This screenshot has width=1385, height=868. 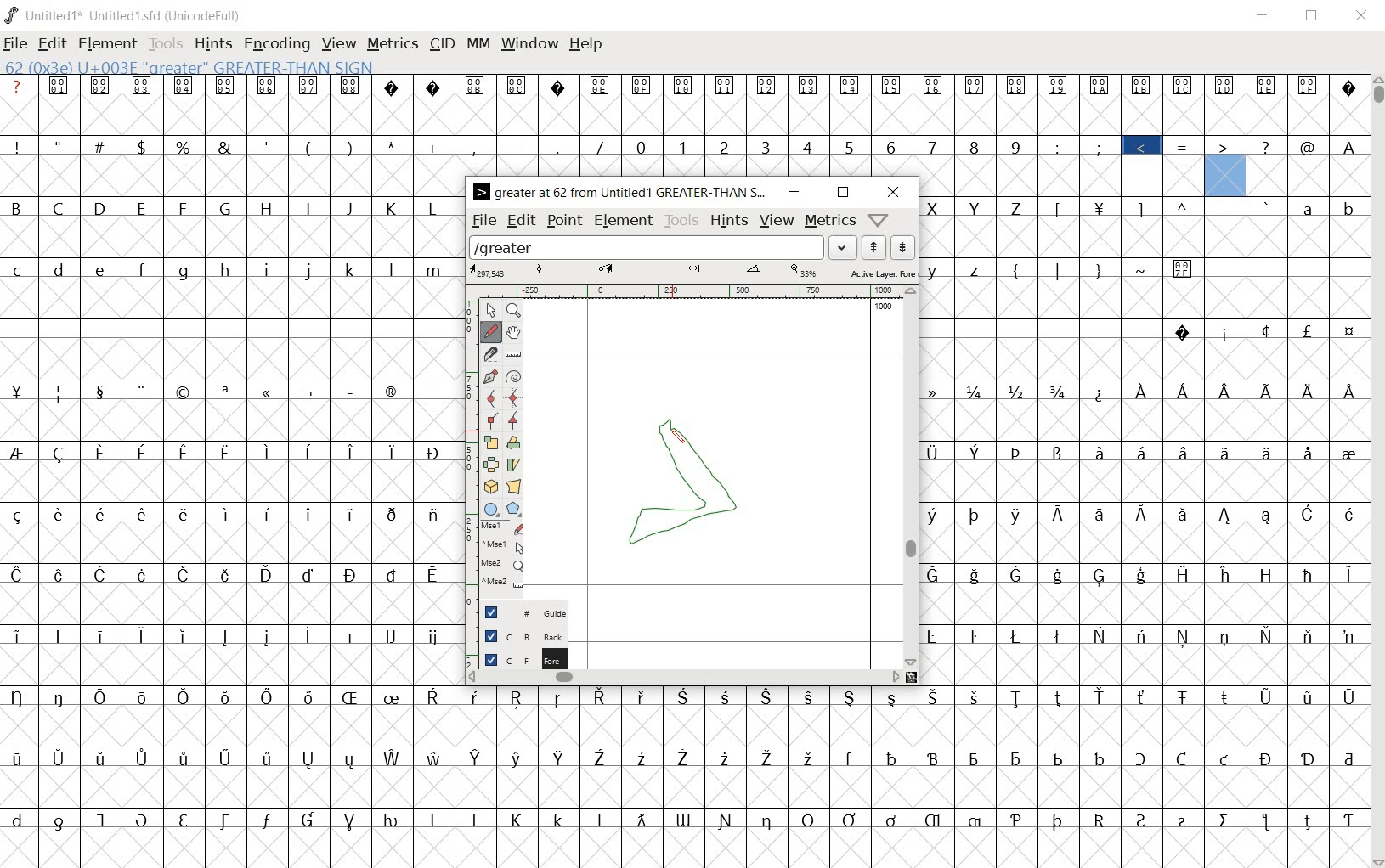 I want to click on Add a corner point, so click(x=514, y=420).